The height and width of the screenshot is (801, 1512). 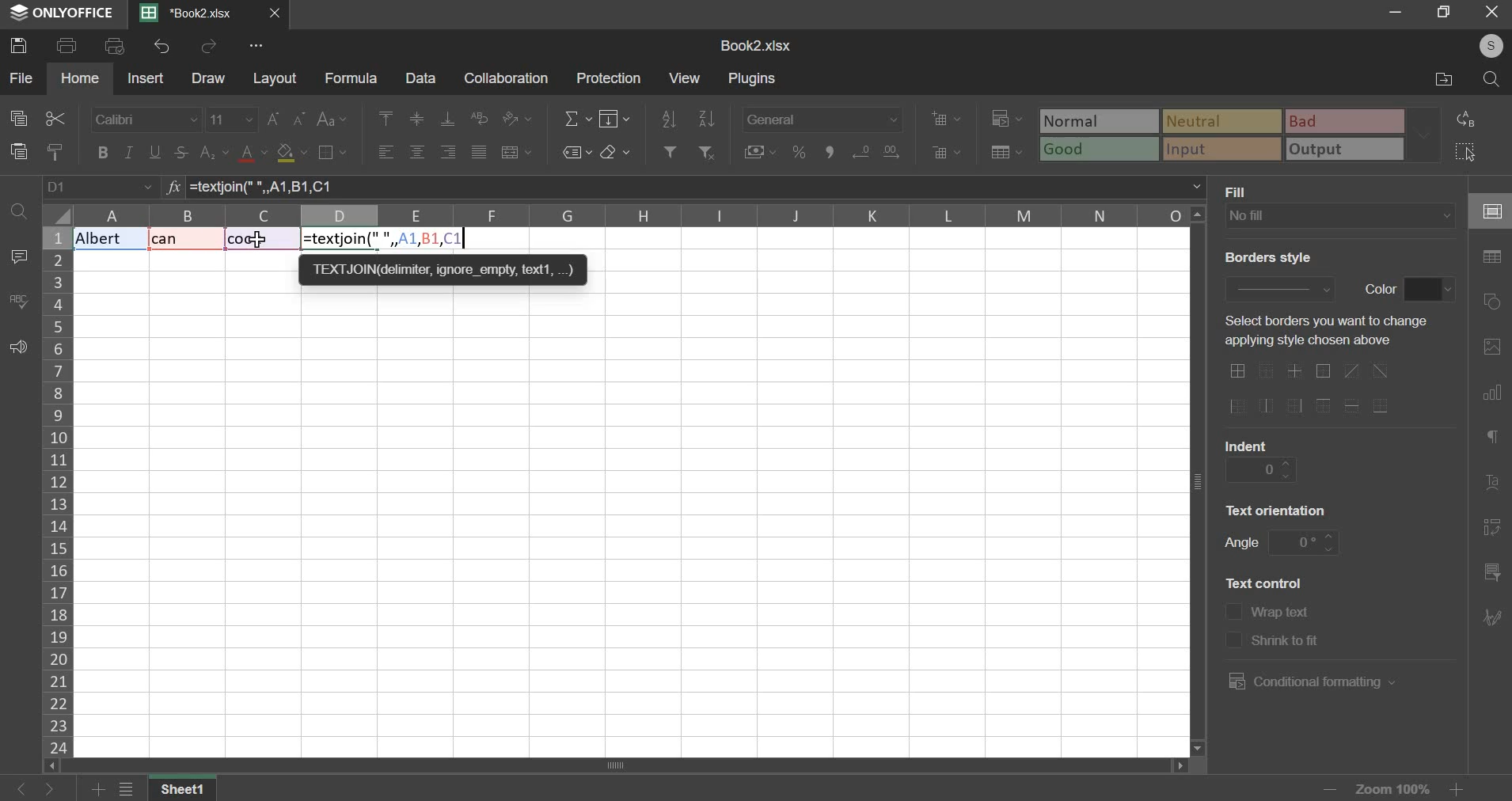 What do you see at coordinates (507, 79) in the screenshot?
I see `collaboration` at bounding box center [507, 79].